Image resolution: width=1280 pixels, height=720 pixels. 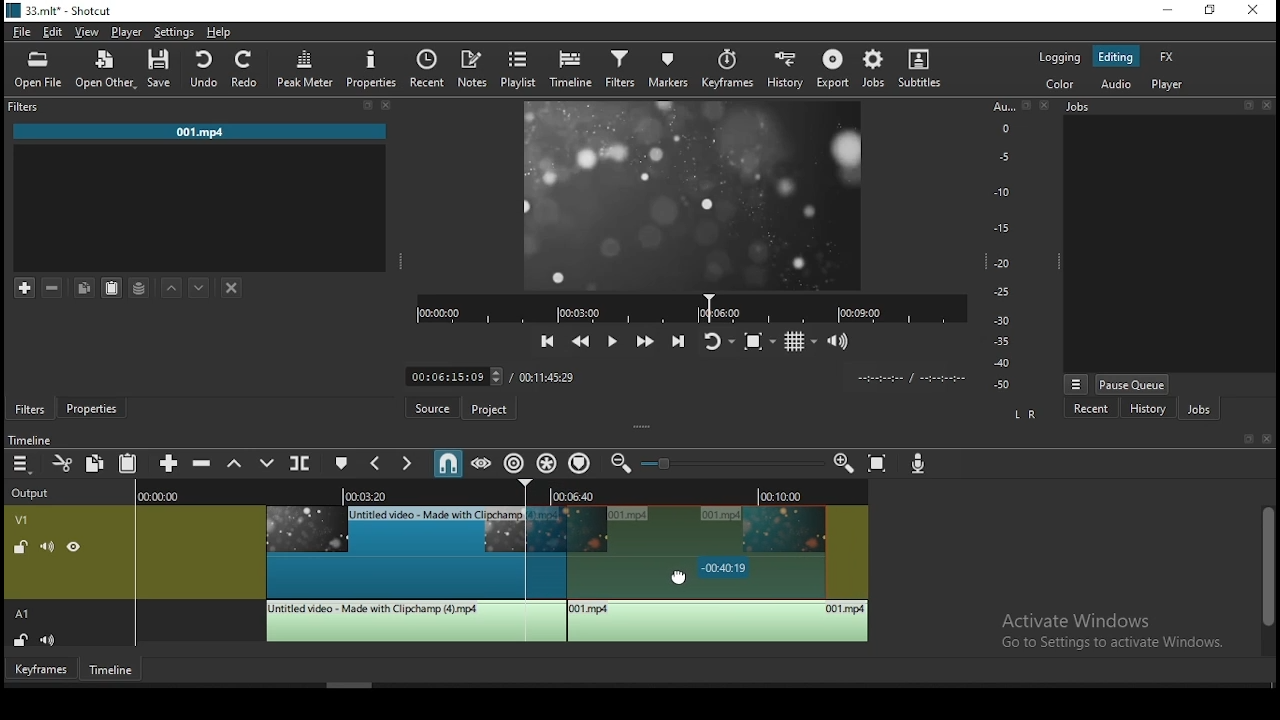 I want to click on keyframe, so click(x=39, y=671).